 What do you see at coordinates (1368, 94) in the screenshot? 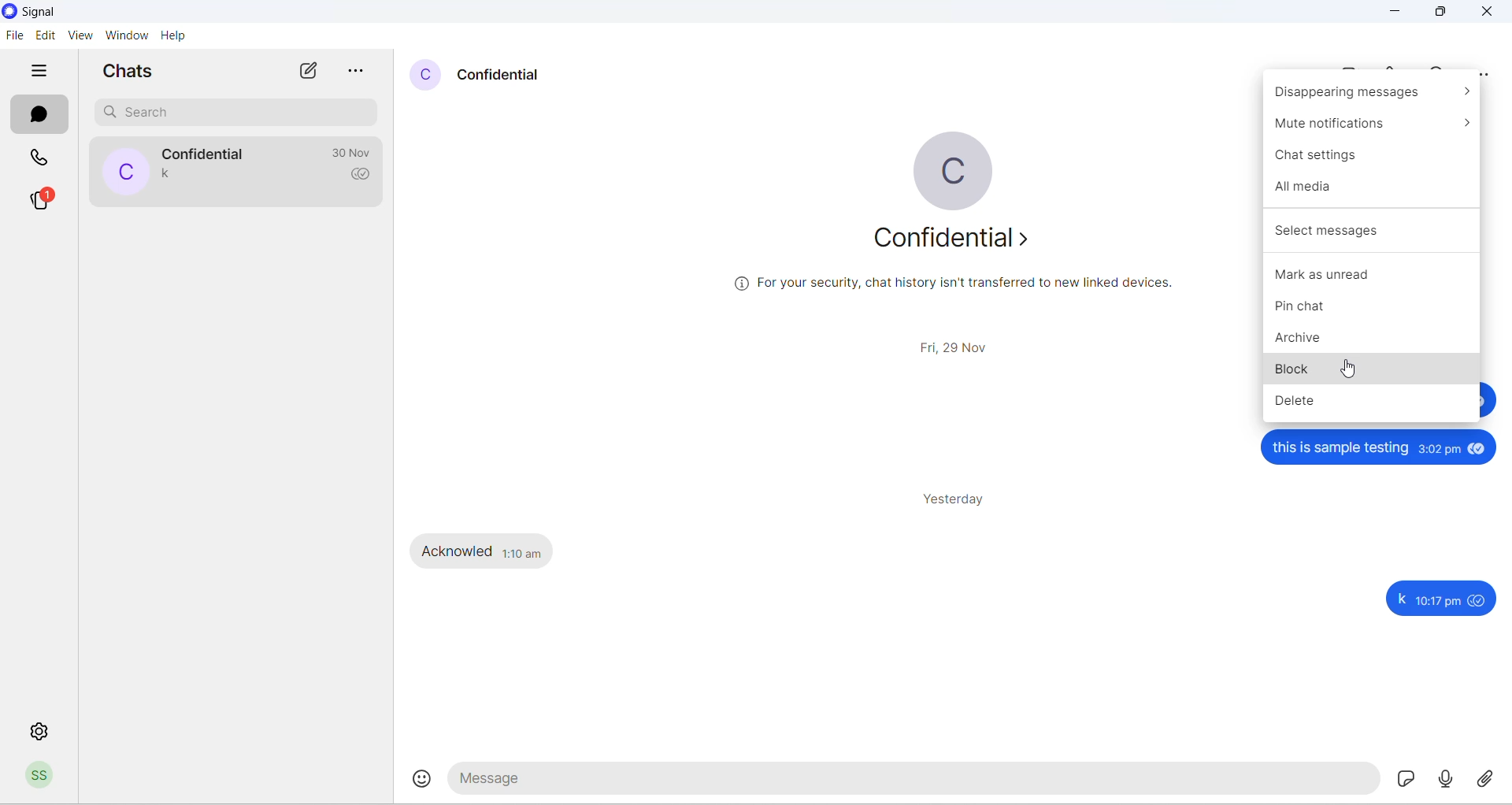
I see `disappearing messages` at bounding box center [1368, 94].